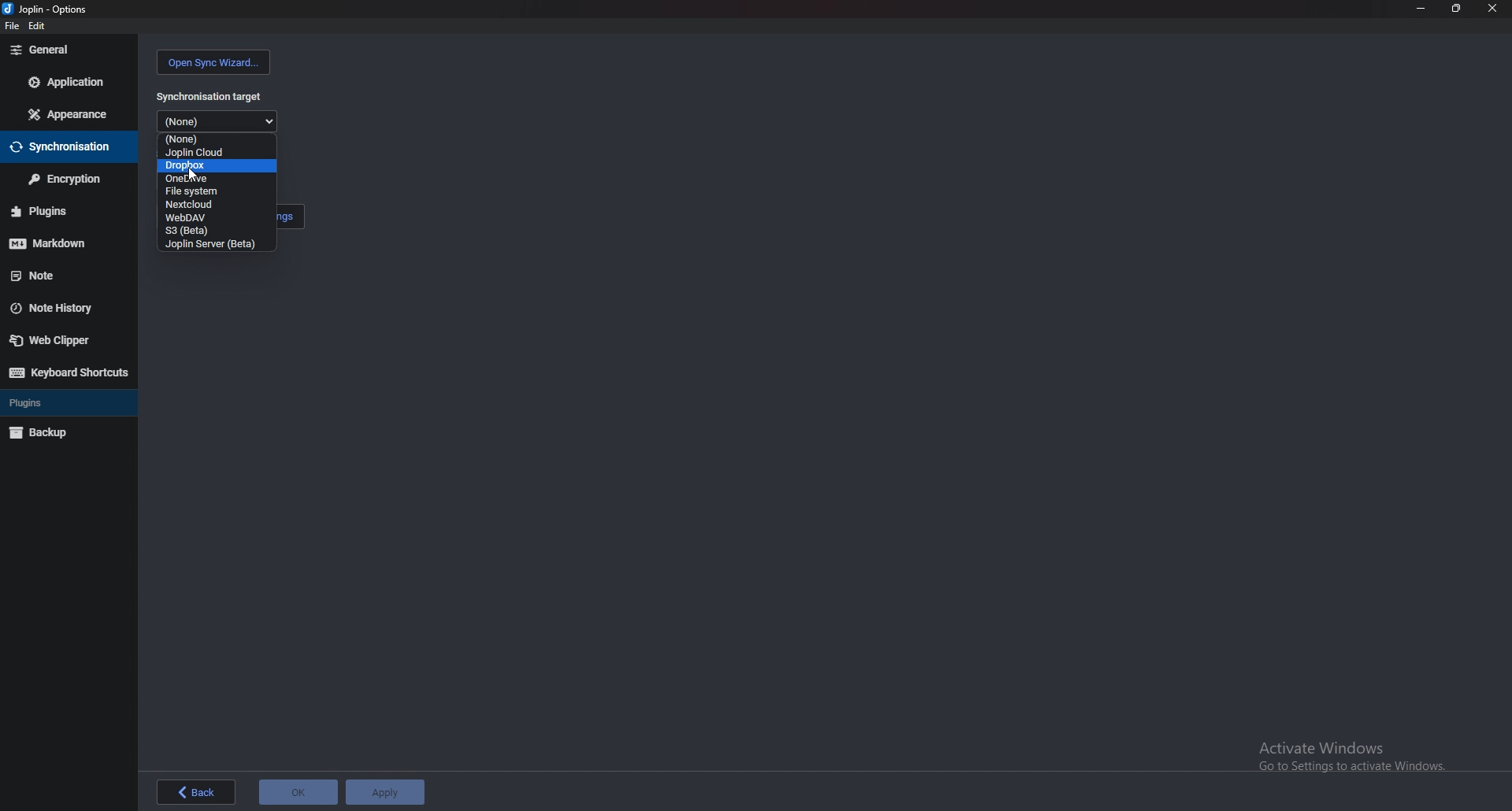  Describe the element at coordinates (69, 116) in the screenshot. I see `appearance` at that location.